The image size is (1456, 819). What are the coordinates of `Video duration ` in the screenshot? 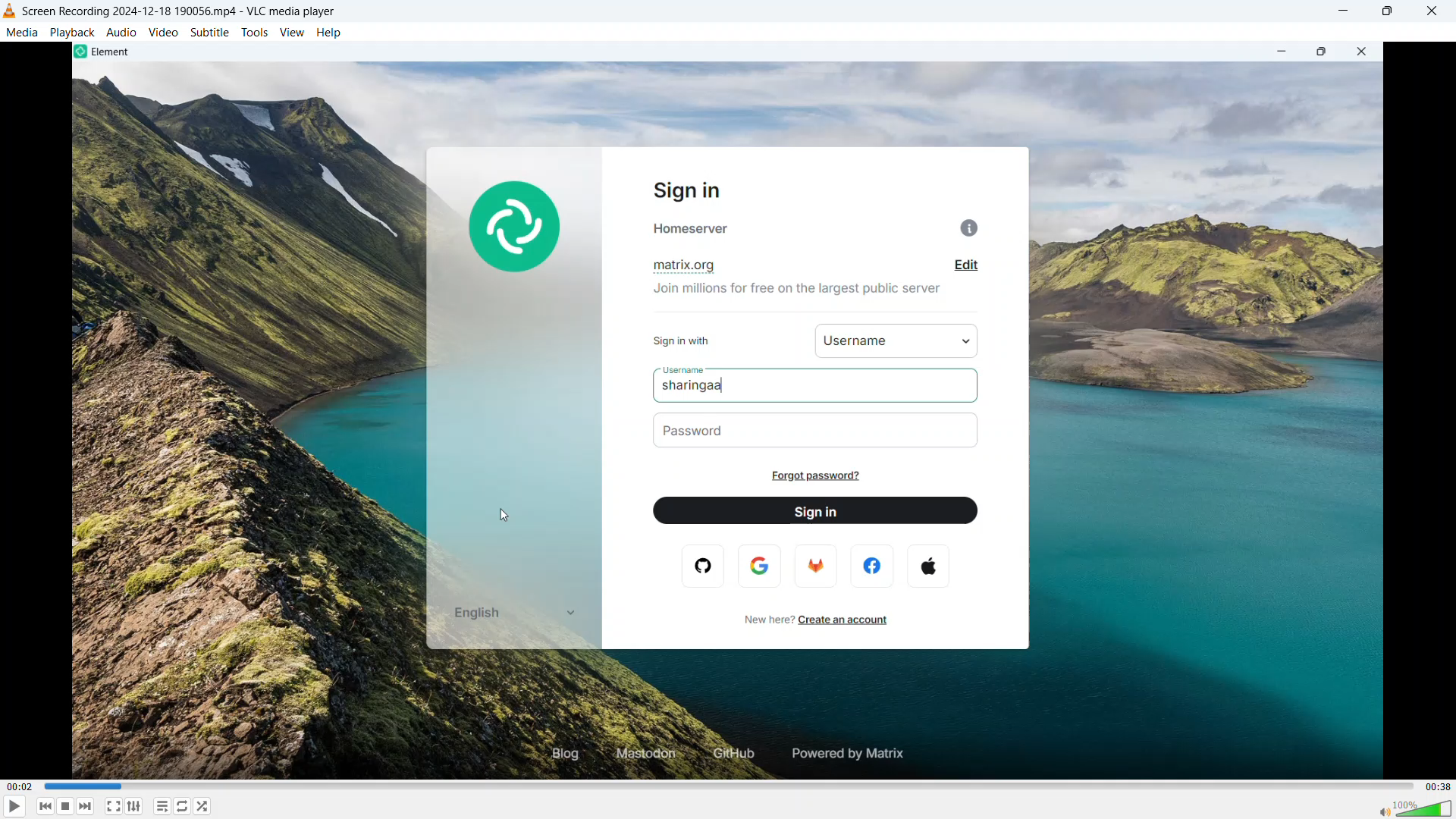 It's located at (1438, 787).